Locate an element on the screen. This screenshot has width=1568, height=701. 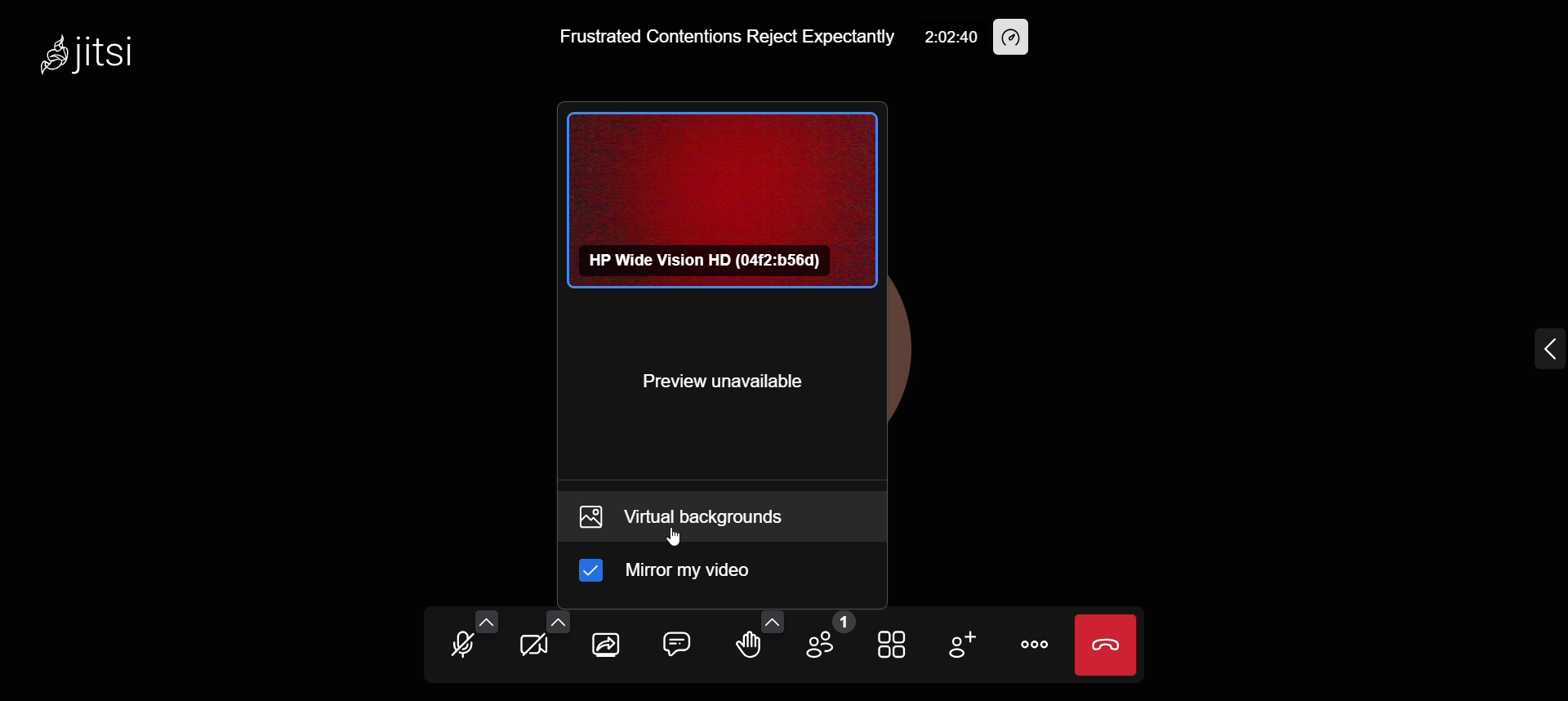
participantd is located at coordinates (828, 637).